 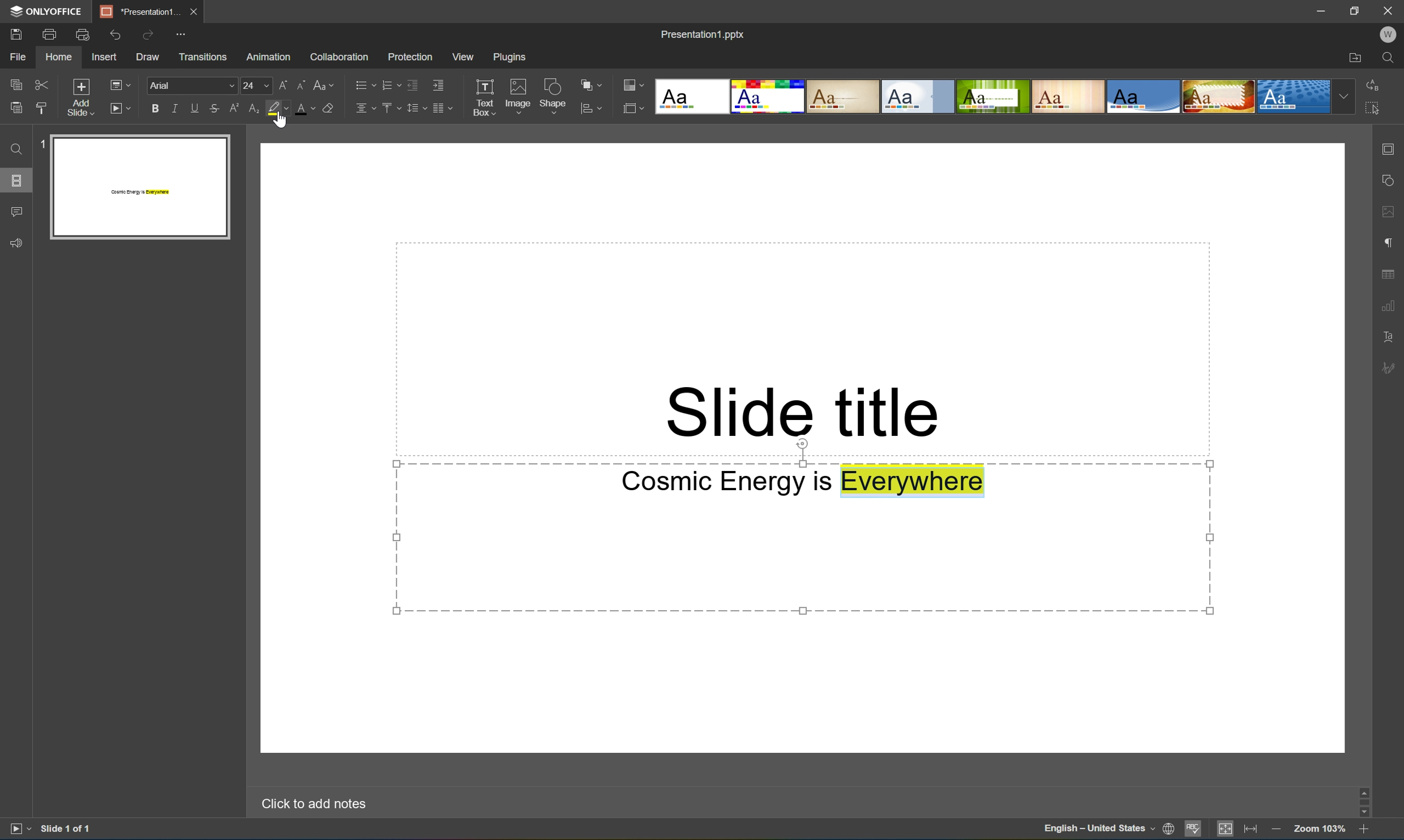 I want to click on Highlight color, so click(x=279, y=108).